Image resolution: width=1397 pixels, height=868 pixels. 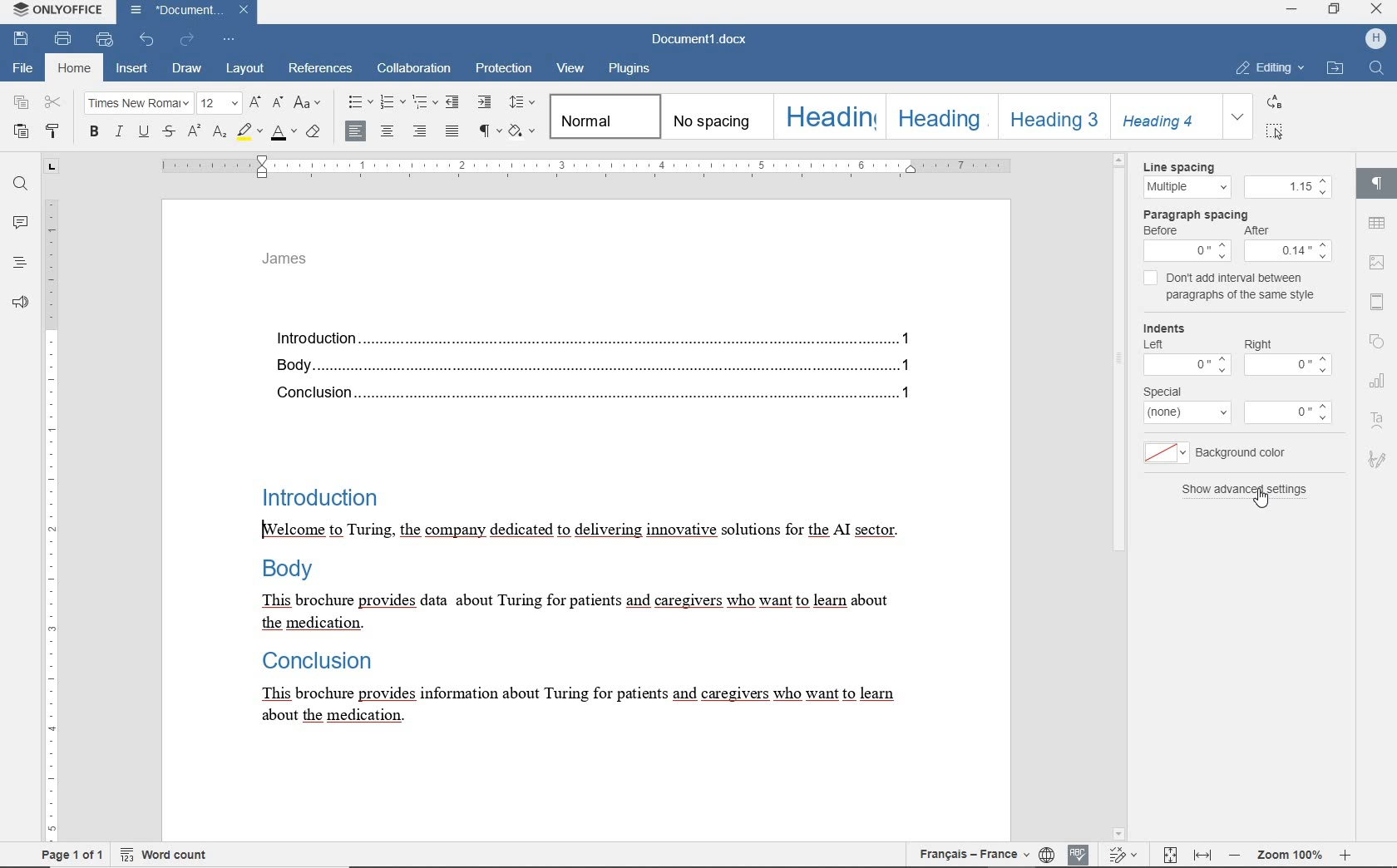 What do you see at coordinates (1172, 327) in the screenshot?
I see `indents` at bounding box center [1172, 327].